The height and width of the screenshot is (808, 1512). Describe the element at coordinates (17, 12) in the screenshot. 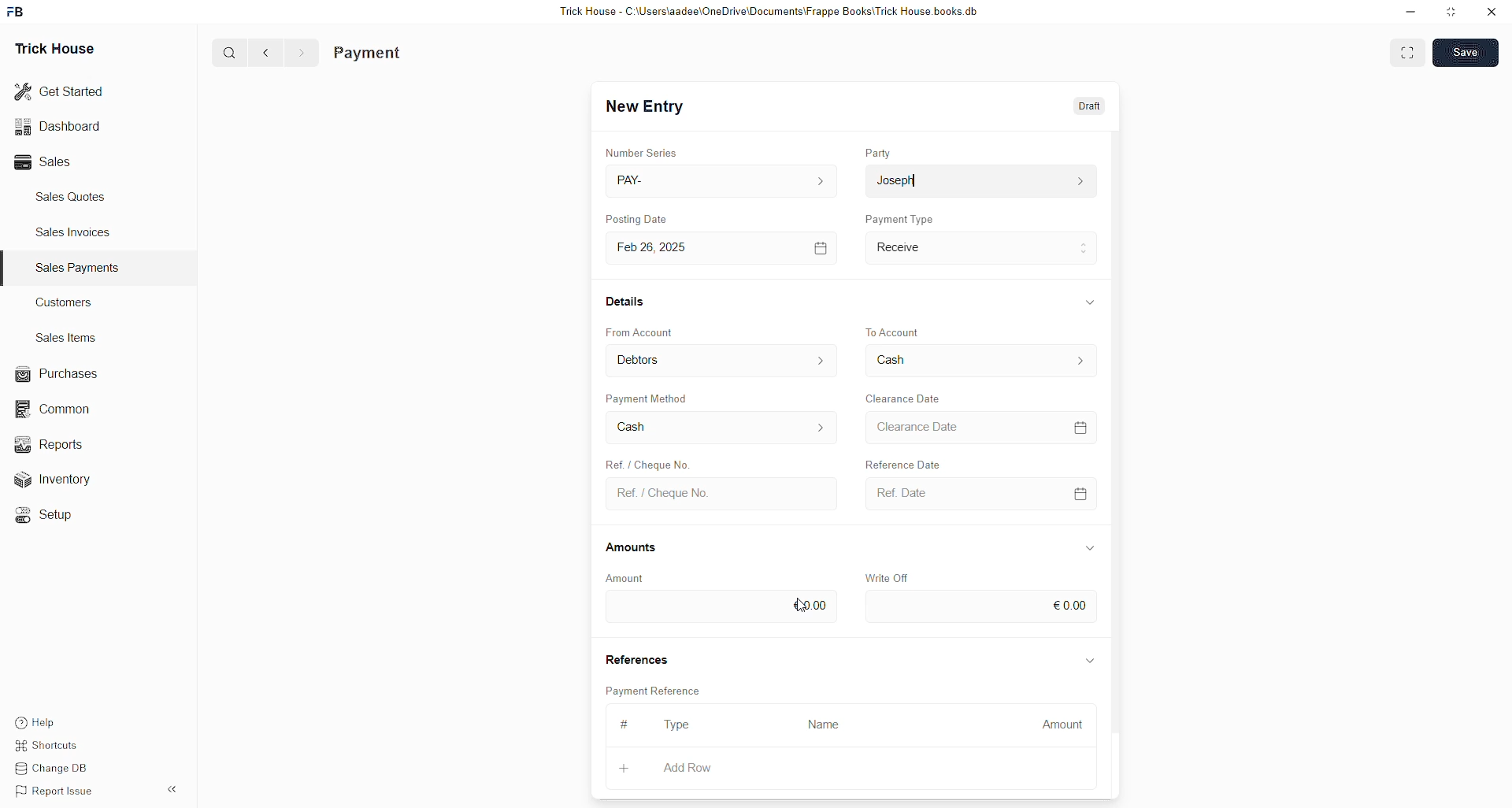

I see `logo` at that location.